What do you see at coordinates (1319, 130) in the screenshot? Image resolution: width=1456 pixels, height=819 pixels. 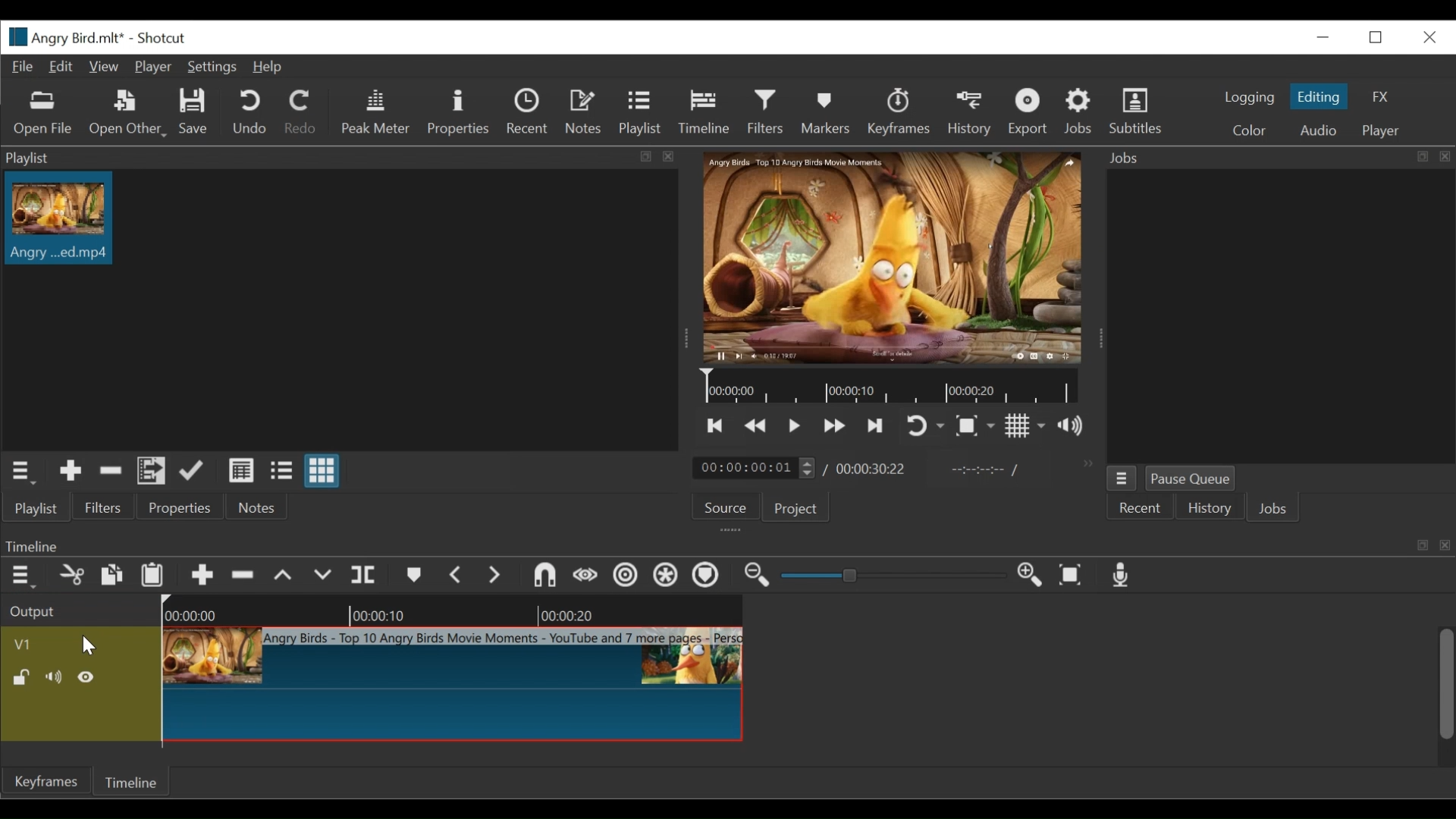 I see `Audio` at bounding box center [1319, 130].